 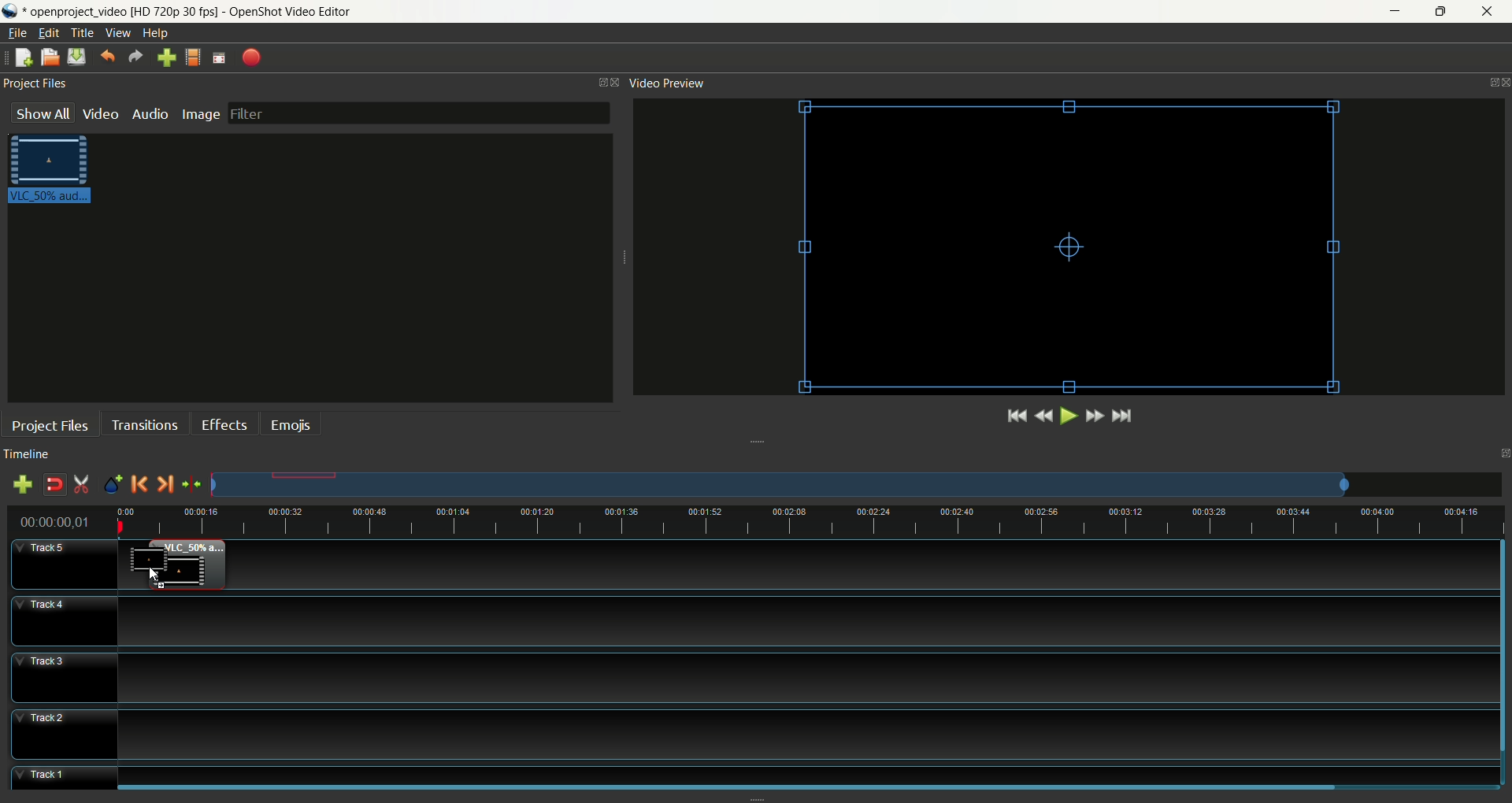 What do you see at coordinates (54, 485) in the screenshot?
I see `disable snapping` at bounding box center [54, 485].